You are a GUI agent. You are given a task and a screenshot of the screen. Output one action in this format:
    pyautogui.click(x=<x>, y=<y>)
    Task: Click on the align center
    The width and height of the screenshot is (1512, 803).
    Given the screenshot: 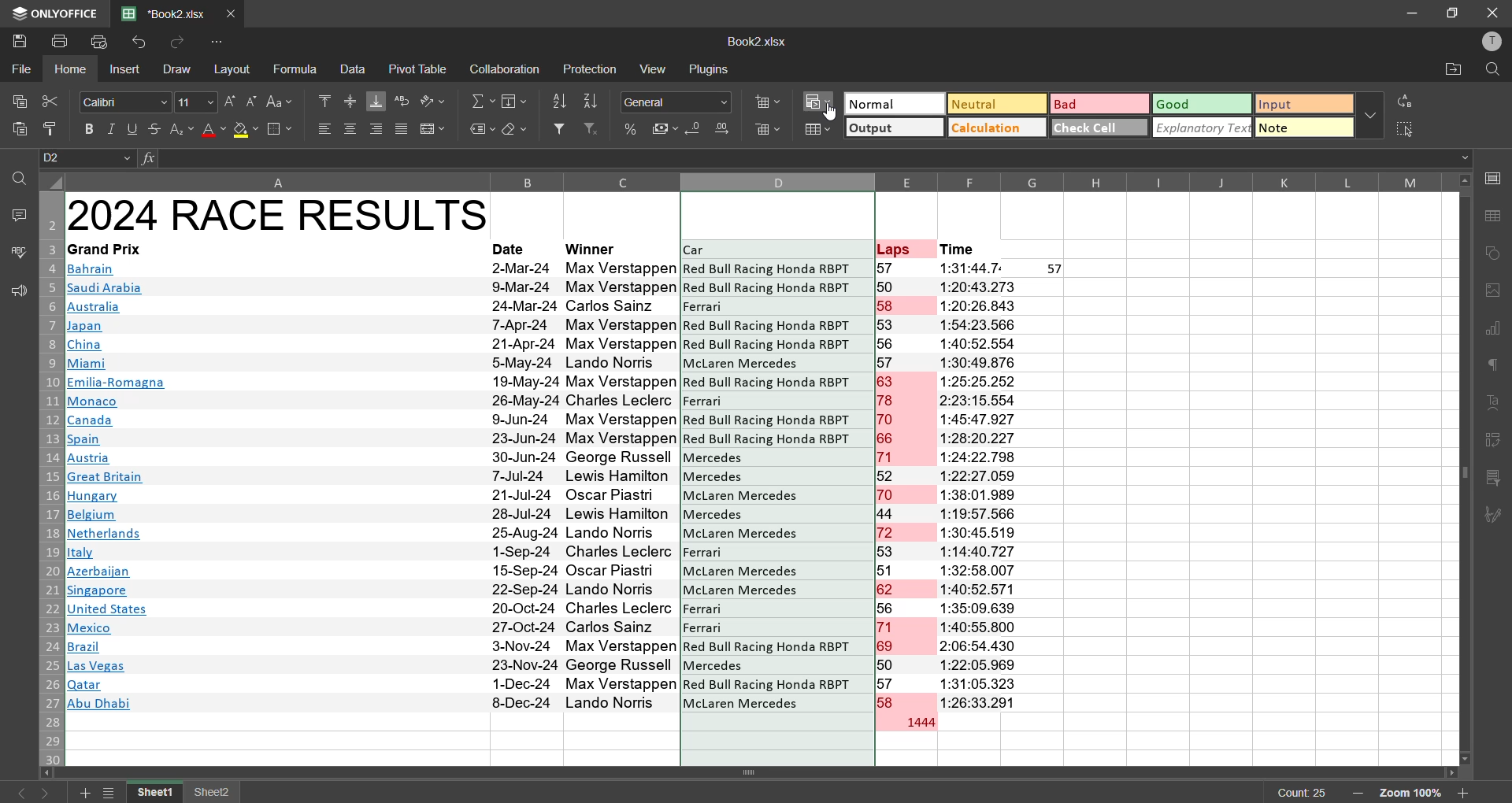 What is the action you would take?
    pyautogui.click(x=350, y=128)
    